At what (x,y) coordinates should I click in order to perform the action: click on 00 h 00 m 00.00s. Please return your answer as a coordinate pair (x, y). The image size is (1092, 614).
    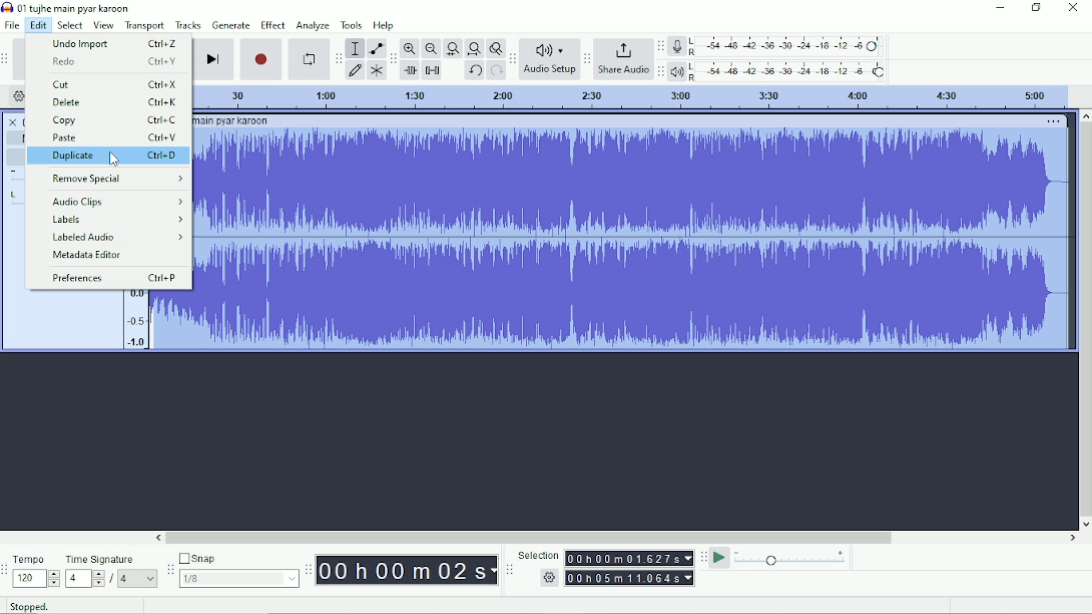
    Looking at the image, I should click on (630, 558).